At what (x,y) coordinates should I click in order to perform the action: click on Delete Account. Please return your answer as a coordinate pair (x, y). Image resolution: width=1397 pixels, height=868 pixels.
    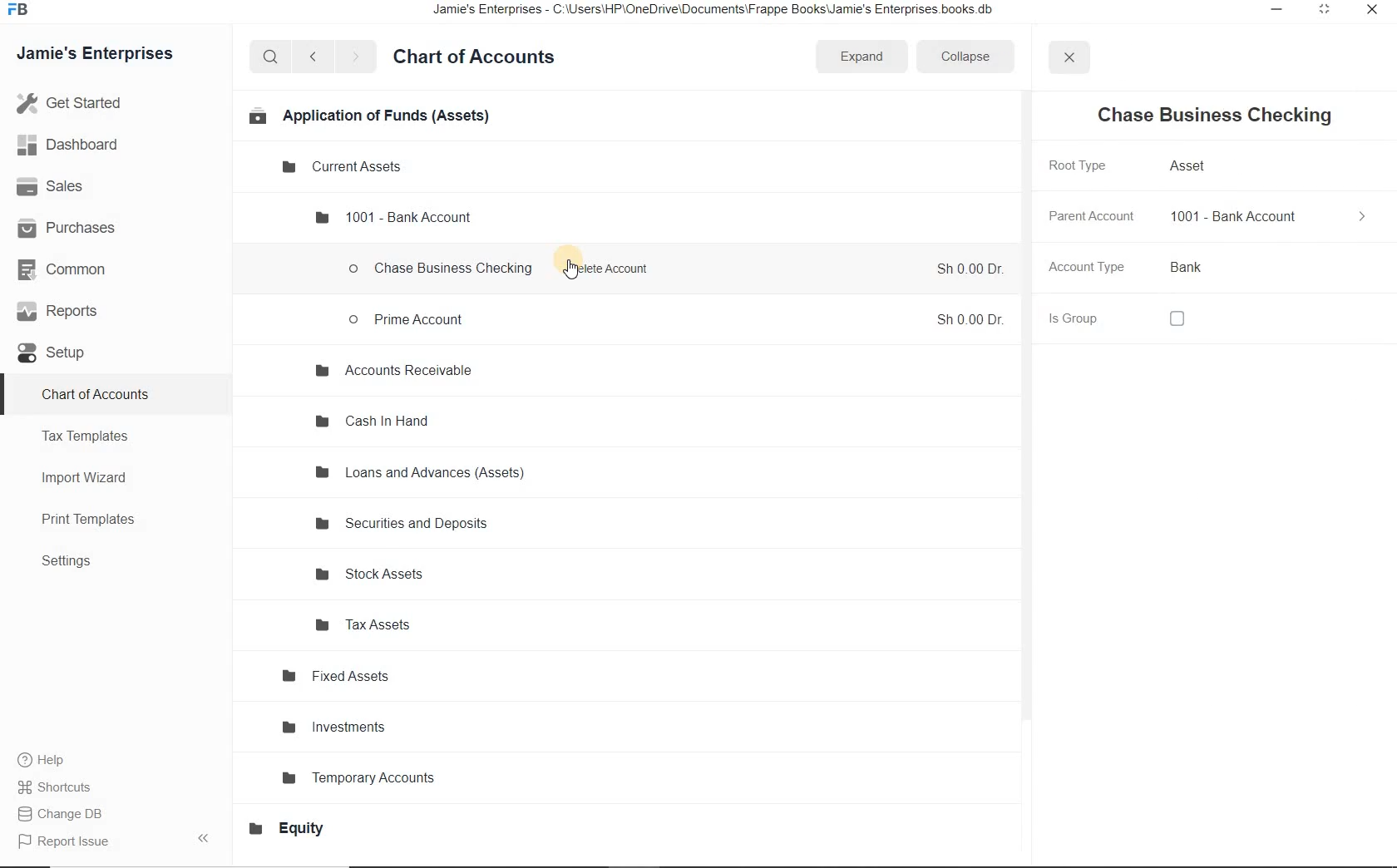
    Looking at the image, I should click on (614, 269).